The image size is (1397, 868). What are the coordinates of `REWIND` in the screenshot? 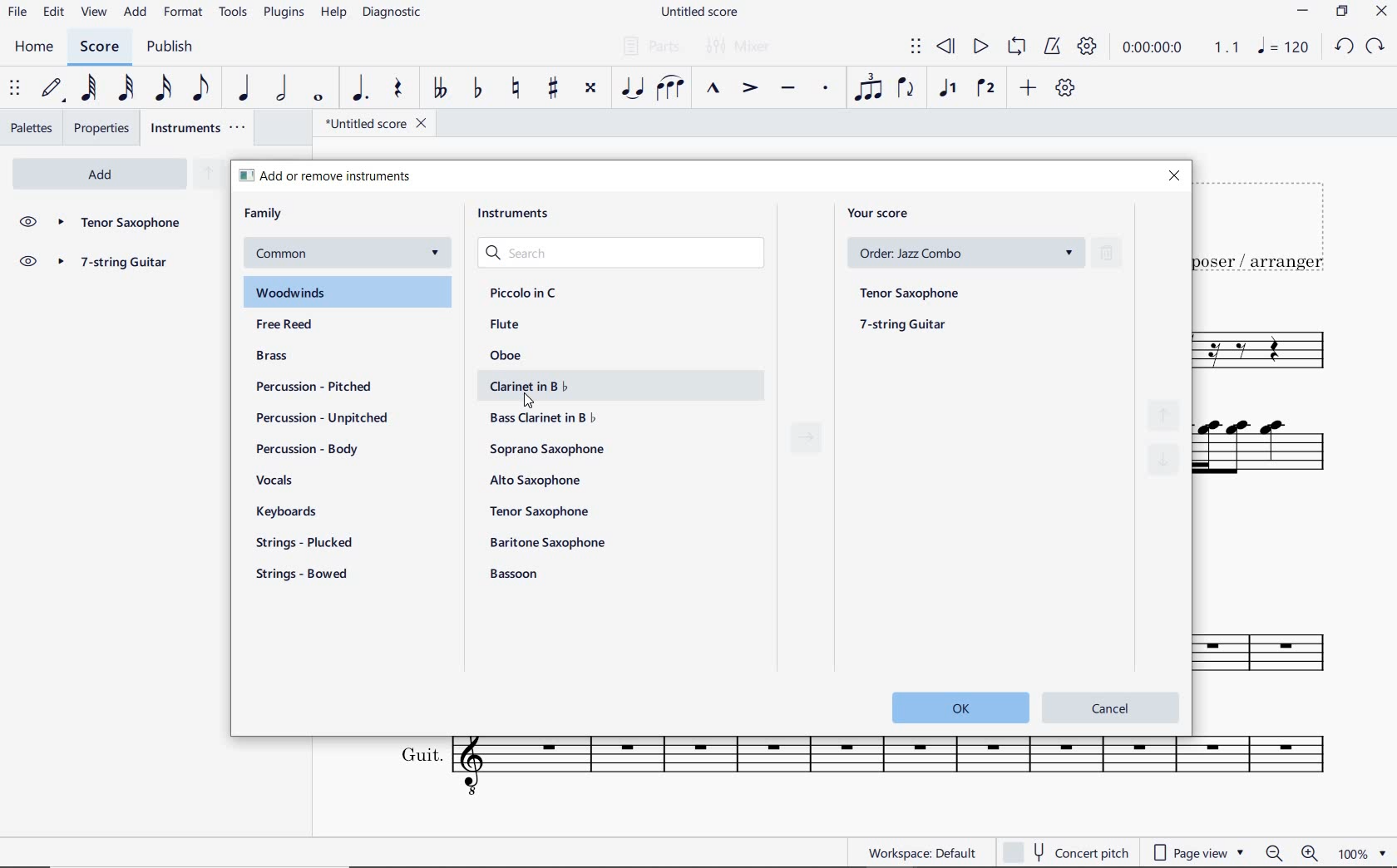 It's located at (946, 48).